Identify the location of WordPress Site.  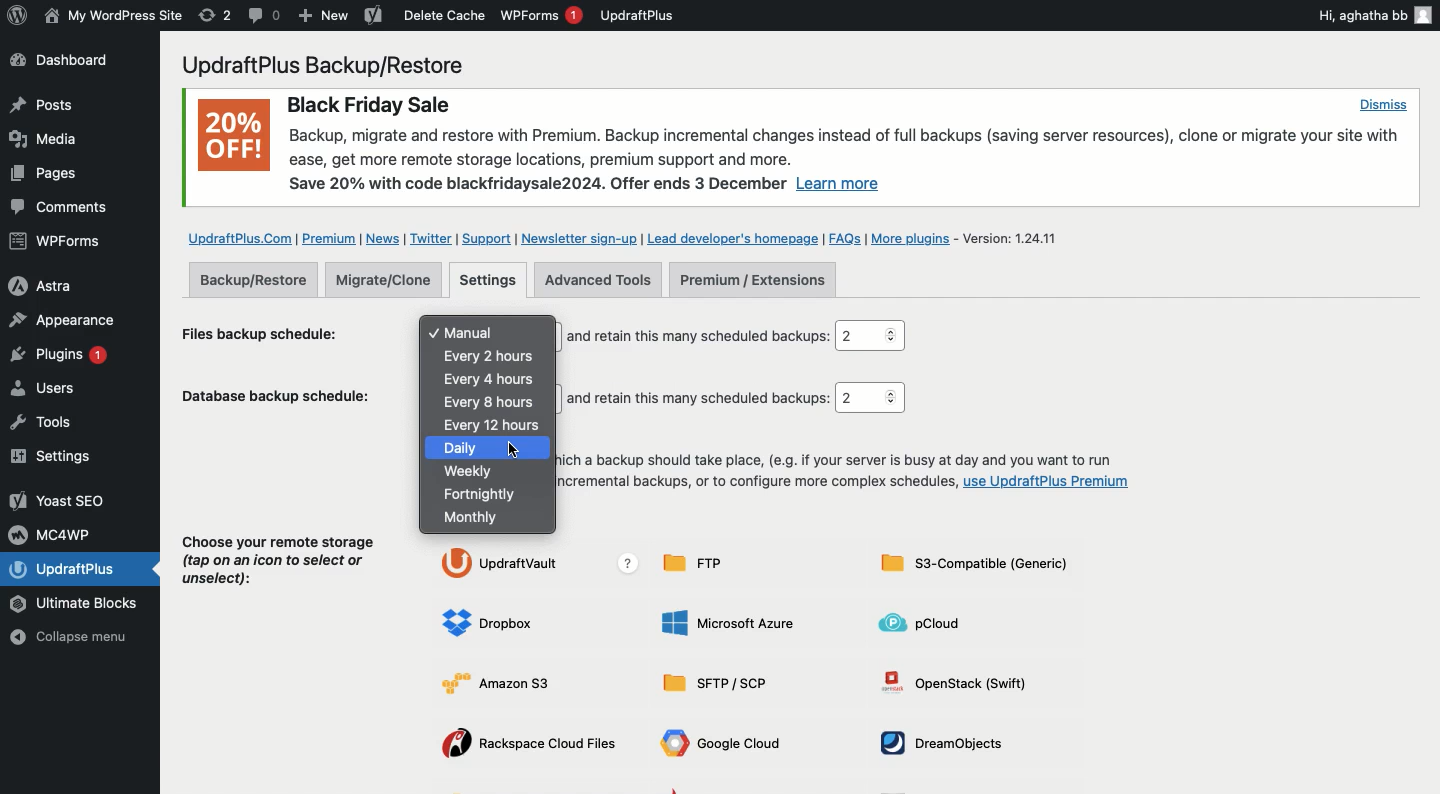
(111, 16).